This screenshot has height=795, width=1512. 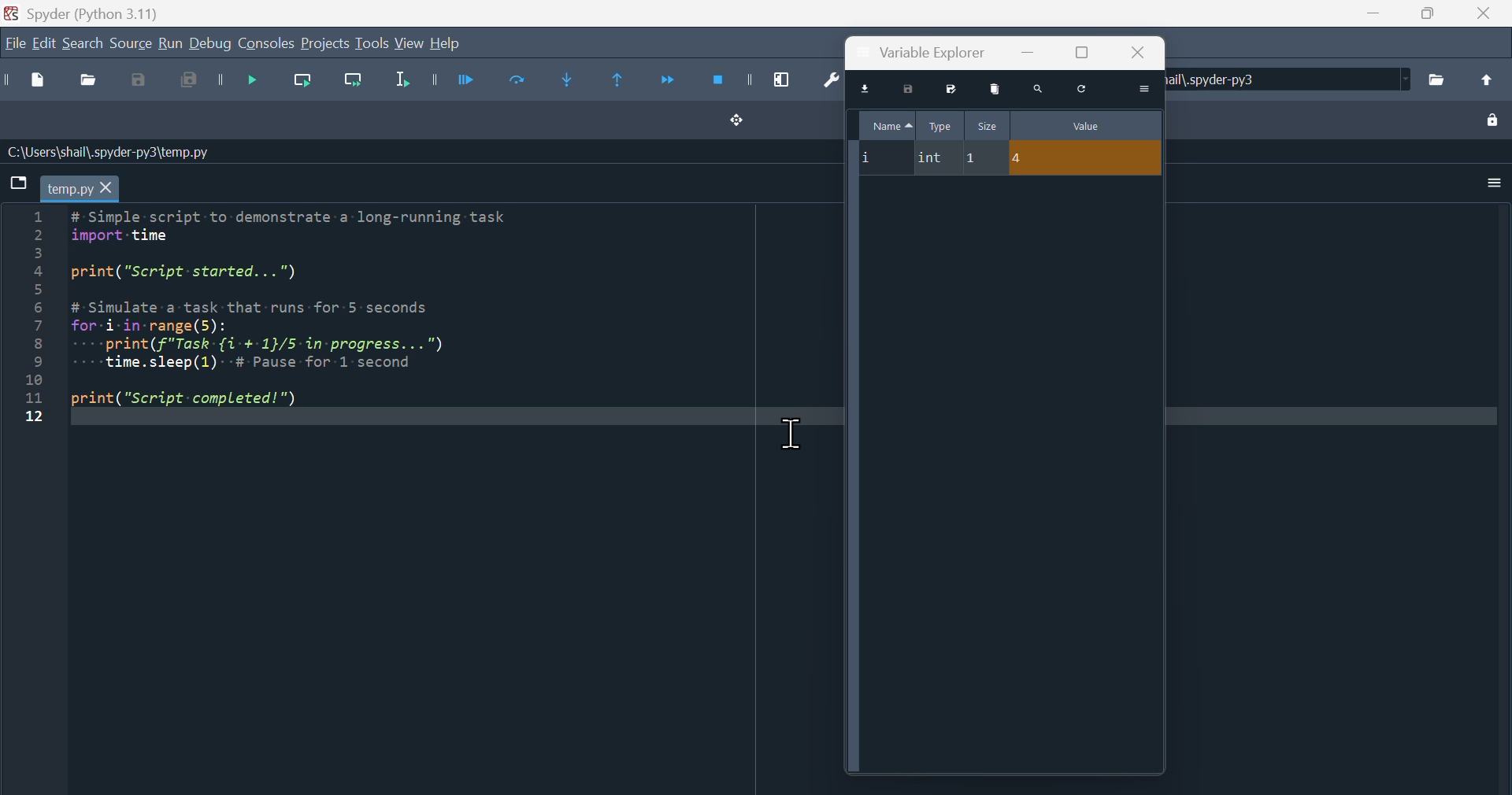 What do you see at coordinates (1372, 13) in the screenshot?
I see `minimise` at bounding box center [1372, 13].